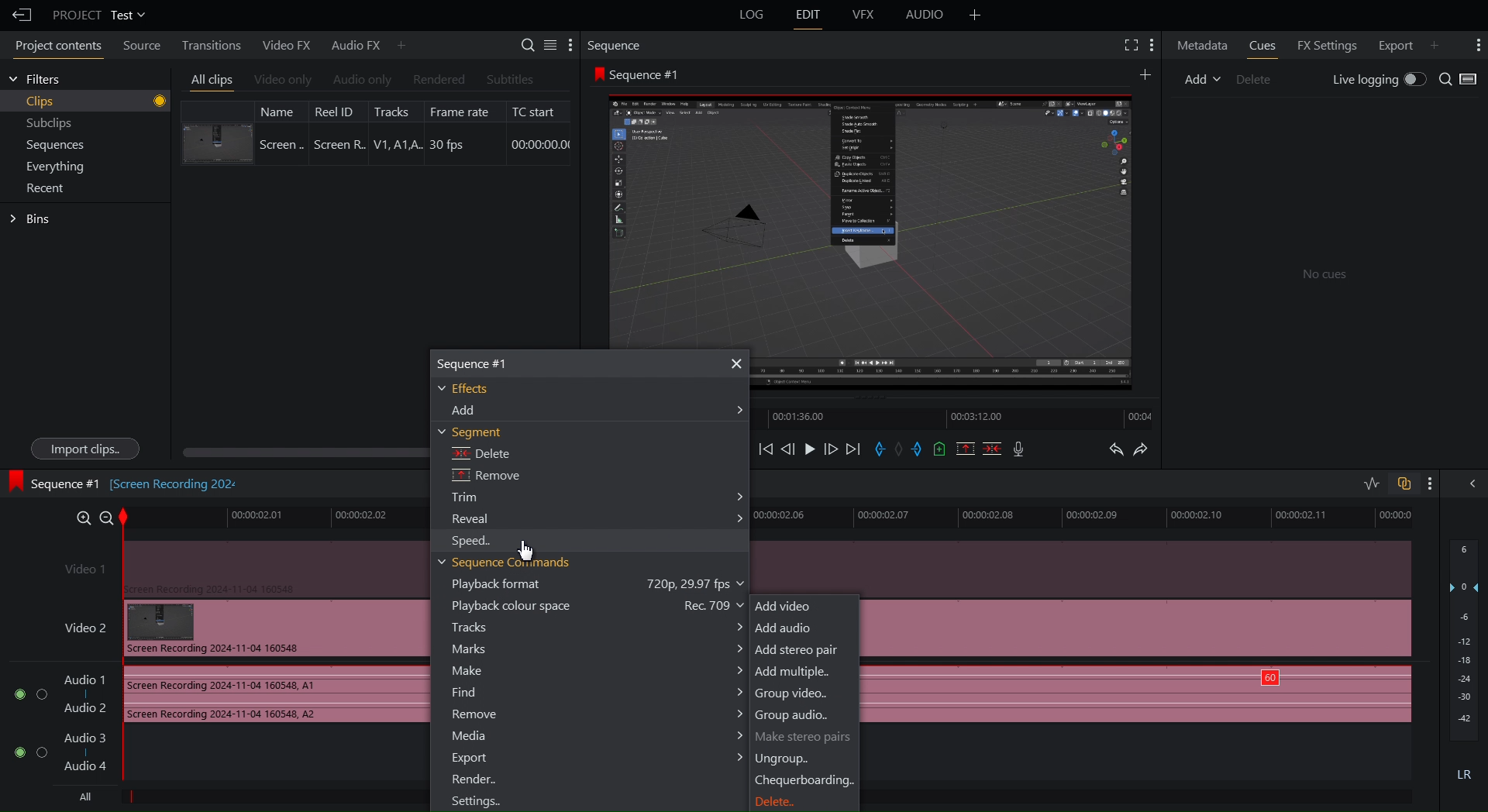 Image resolution: width=1488 pixels, height=812 pixels. What do you see at coordinates (601, 605) in the screenshot?
I see `Playback colour space` at bounding box center [601, 605].